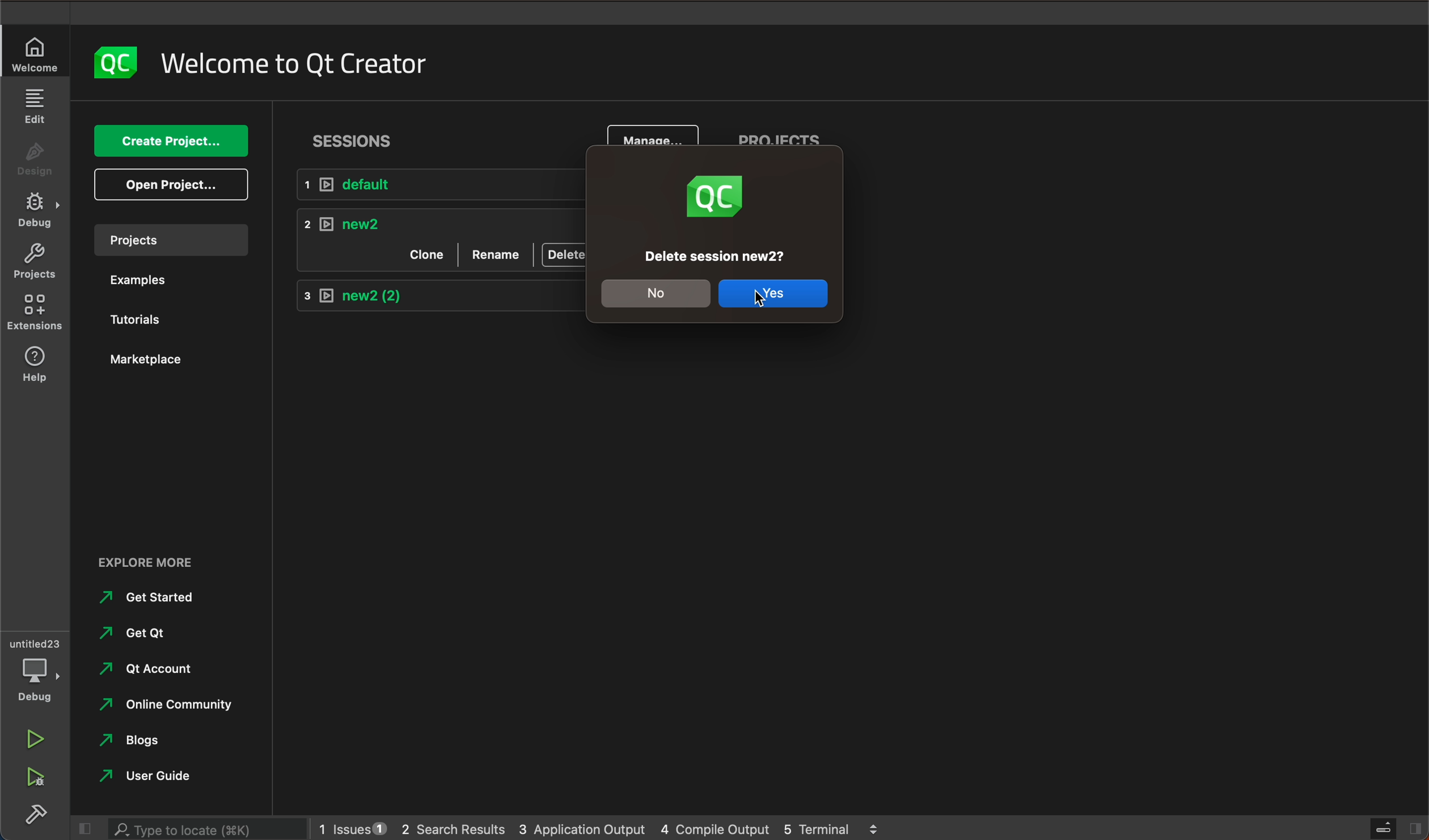  I want to click on projects, so click(178, 240).